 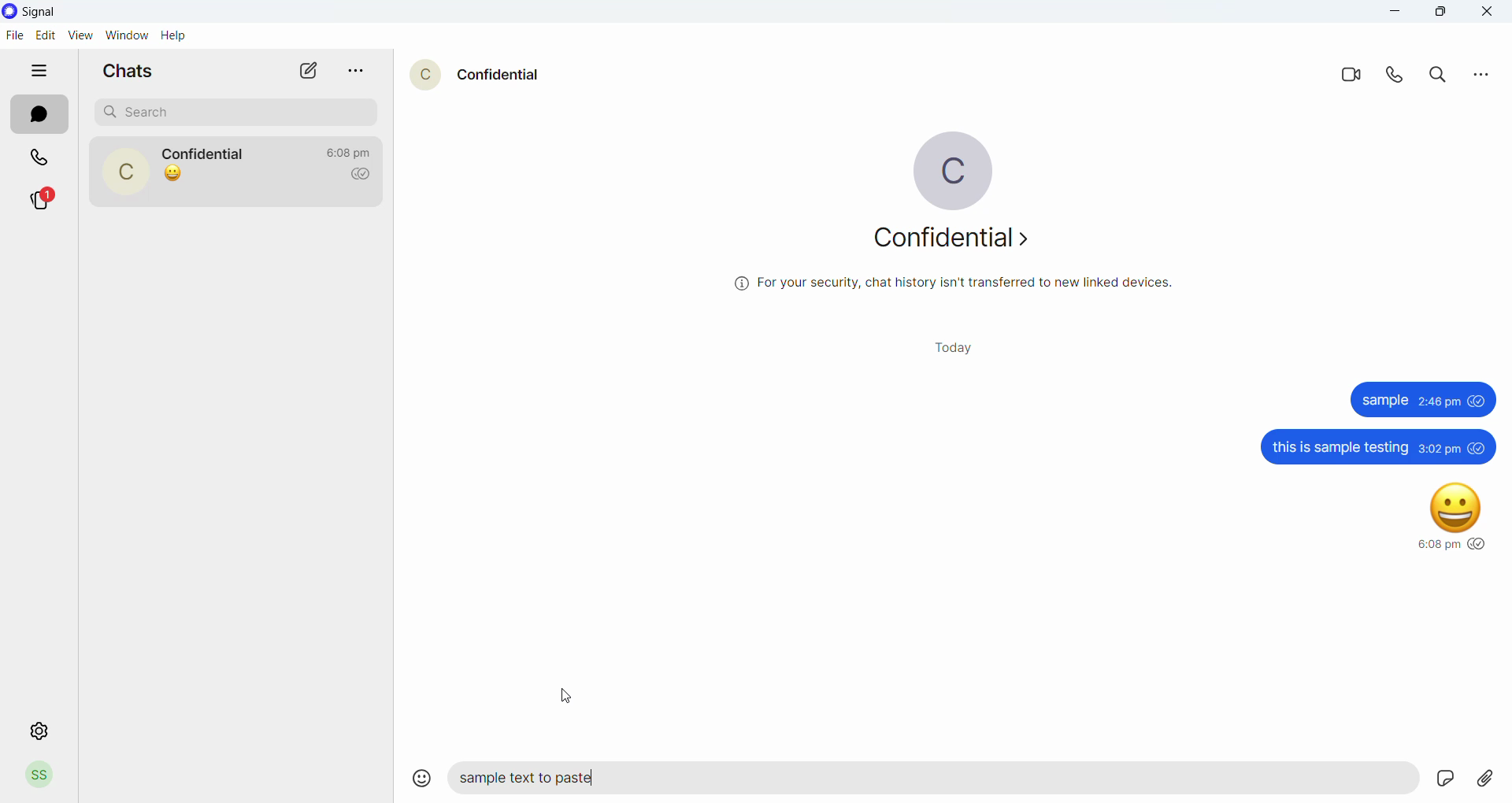 I want to click on profile picture, so click(x=951, y=168).